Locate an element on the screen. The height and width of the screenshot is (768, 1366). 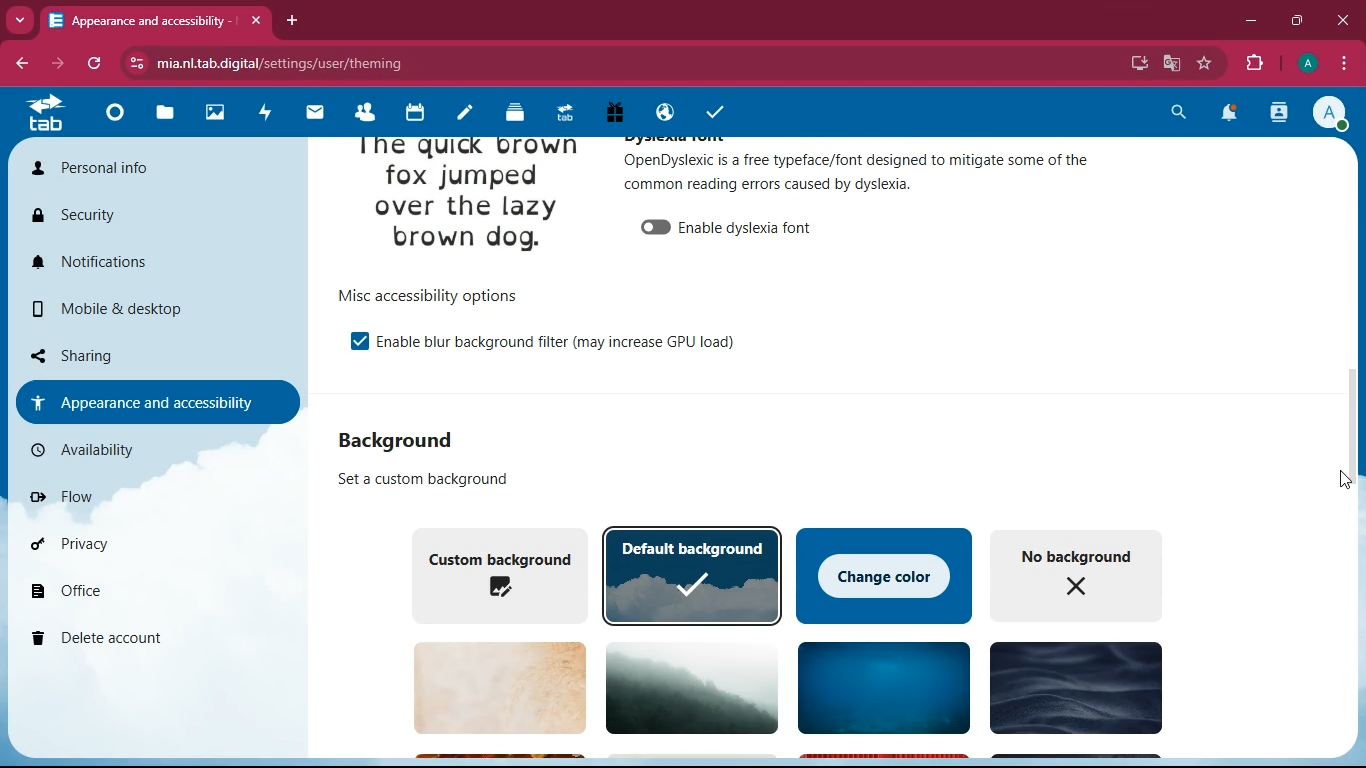
gift is located at coordinates (613, 112).